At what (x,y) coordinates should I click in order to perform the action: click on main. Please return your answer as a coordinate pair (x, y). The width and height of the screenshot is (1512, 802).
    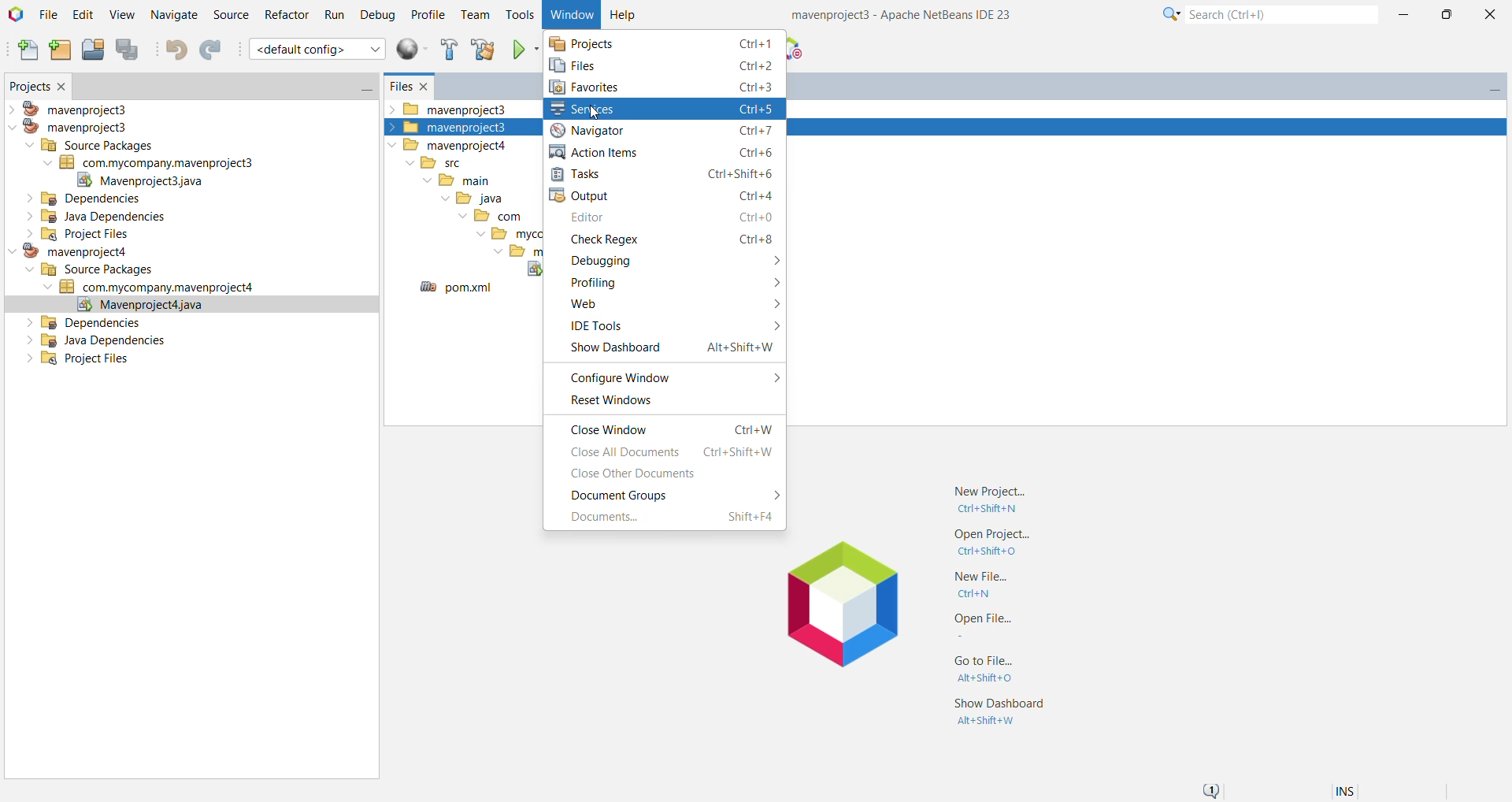
    Looking at the image, I should click on (458, 182).